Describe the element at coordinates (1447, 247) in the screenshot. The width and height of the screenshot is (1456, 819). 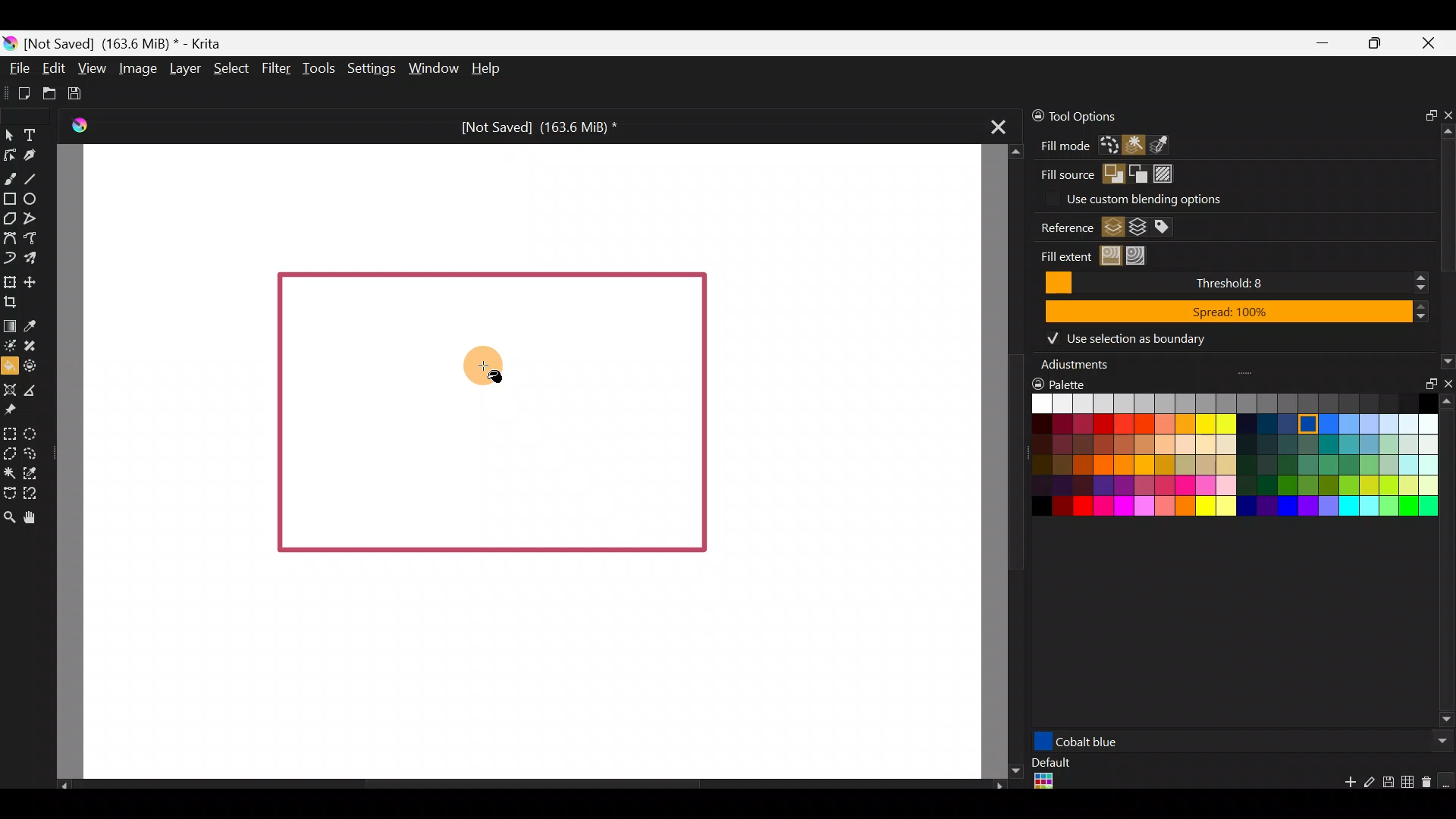
I see `Scroll  bar` at that location.